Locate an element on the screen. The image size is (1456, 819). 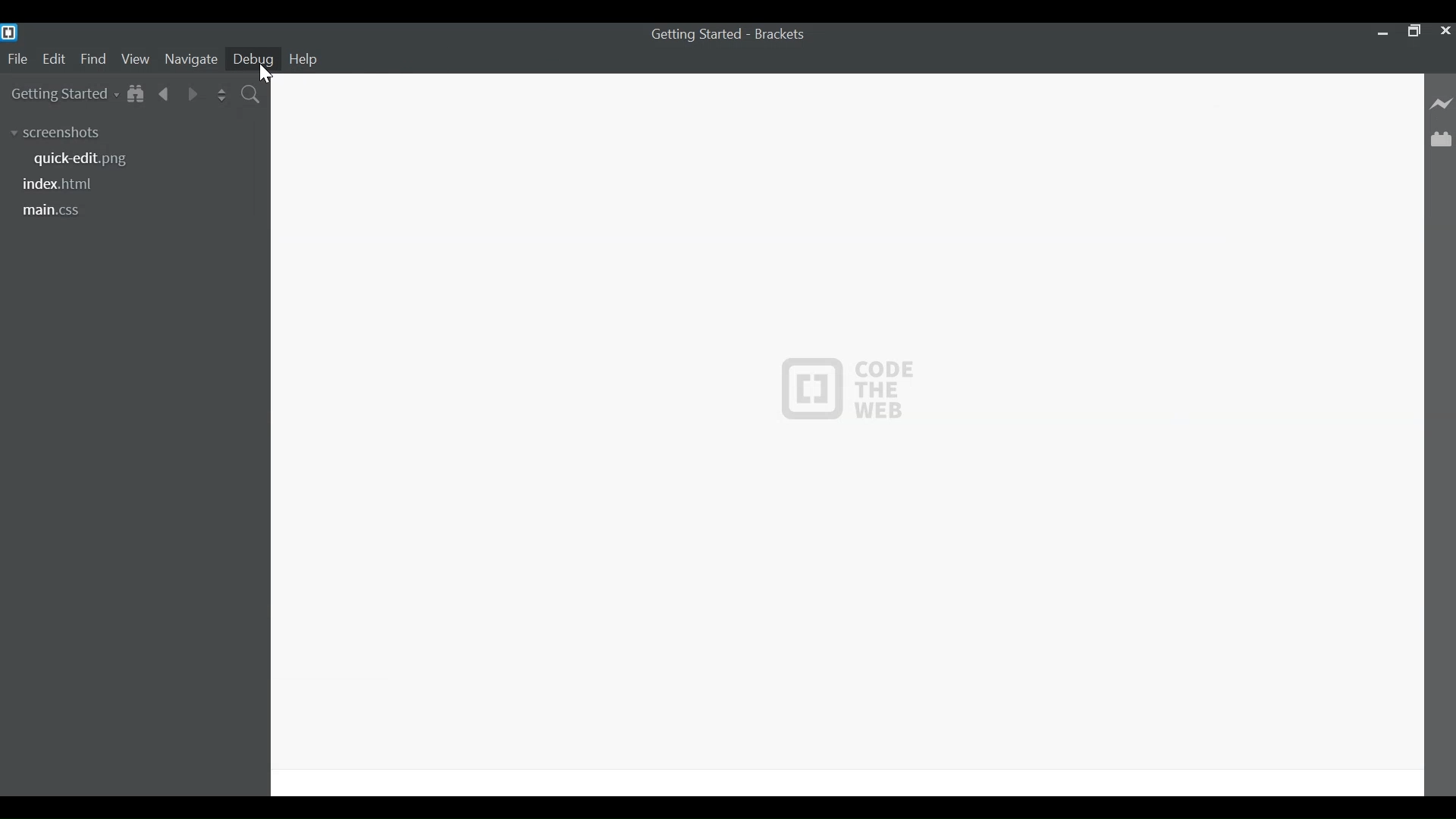
Manage Extenions is located at coordinates (1442, 140).